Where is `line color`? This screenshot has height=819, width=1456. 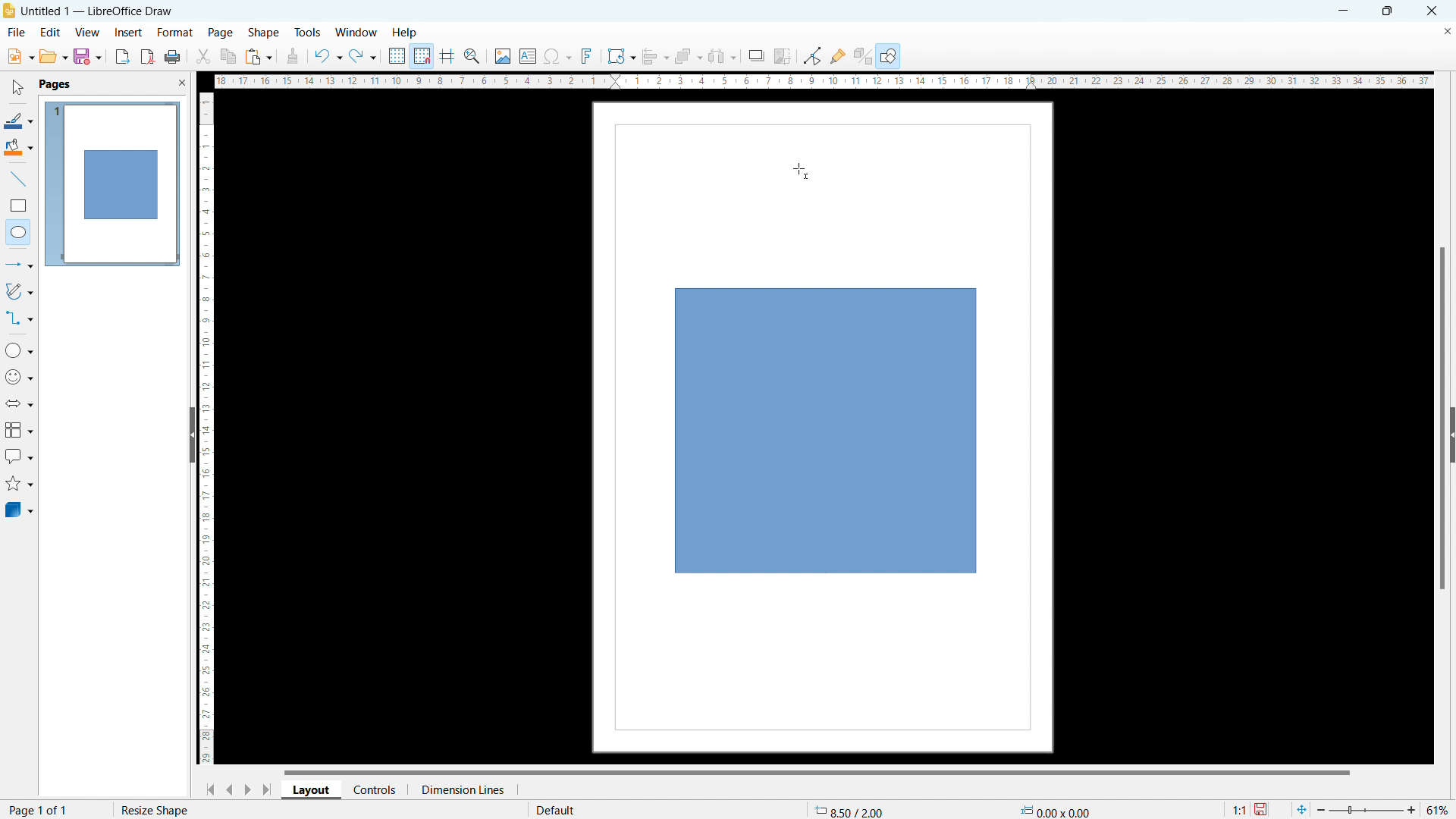 line color is located at coordinates (18, 121).